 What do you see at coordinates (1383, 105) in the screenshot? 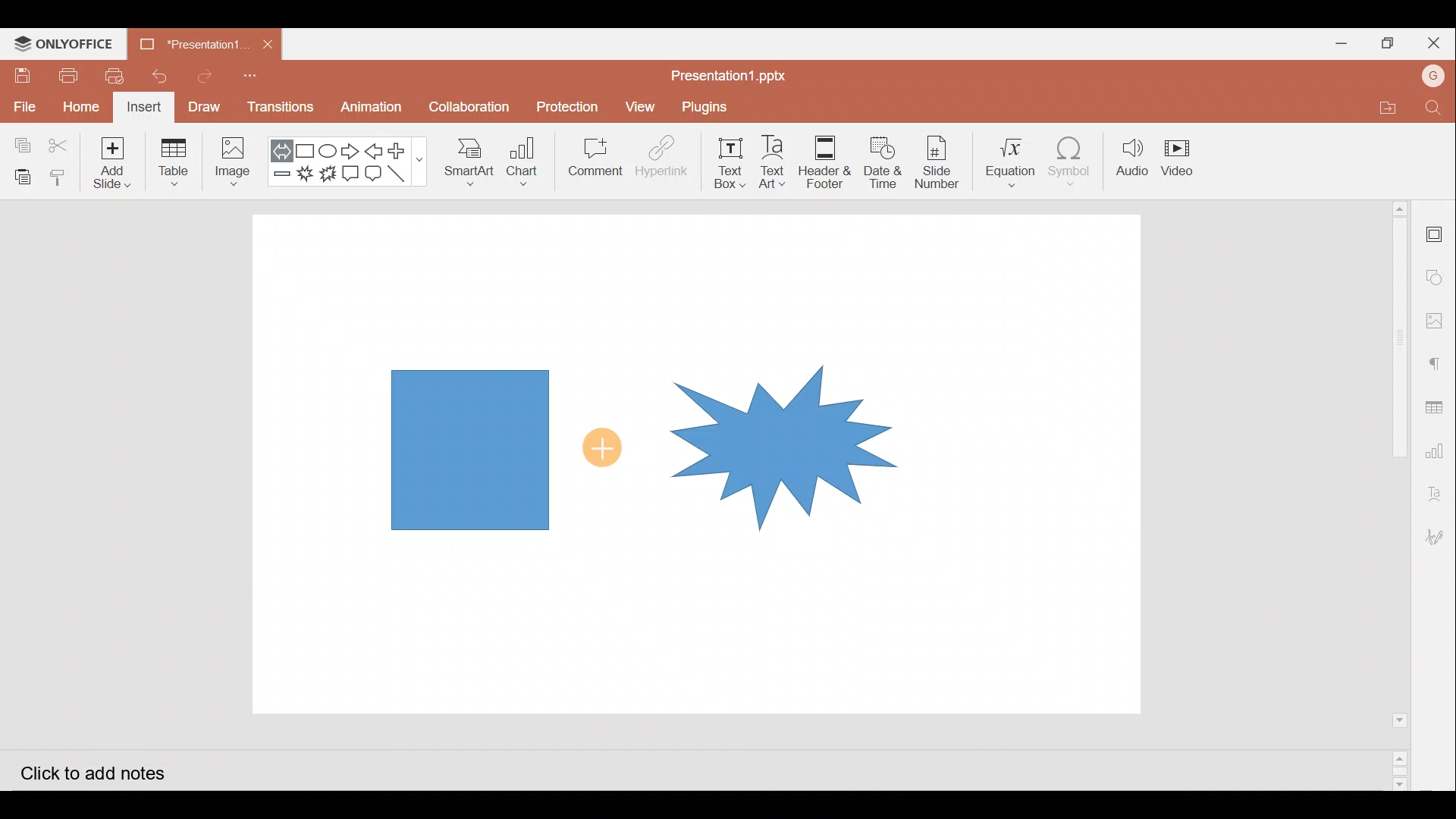
I see `Open file location` at bounding box center [1383, 105].